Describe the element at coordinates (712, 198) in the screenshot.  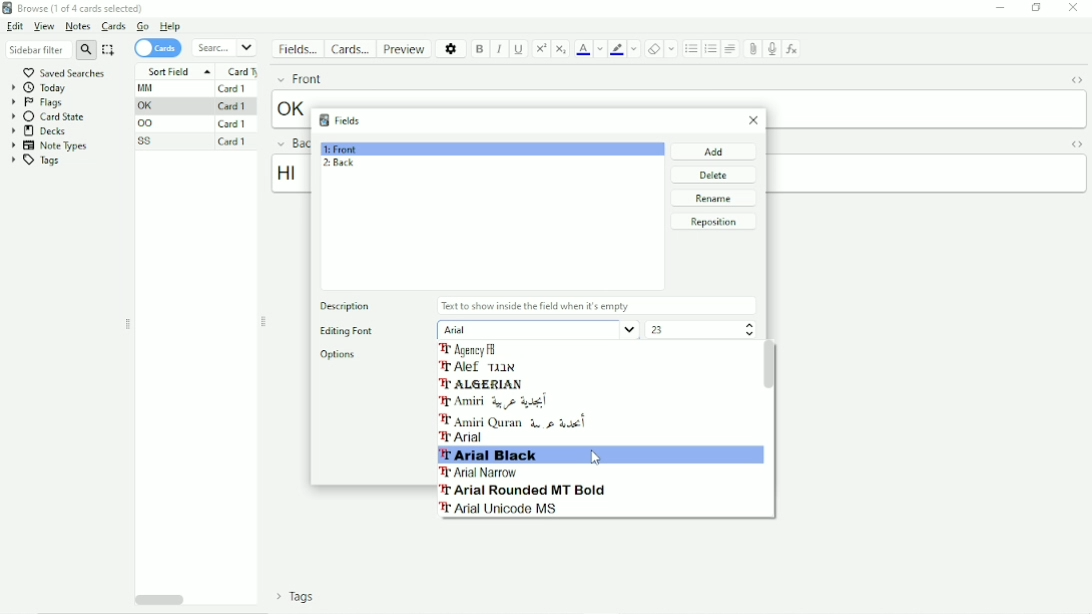
I see `Rename` at that location.